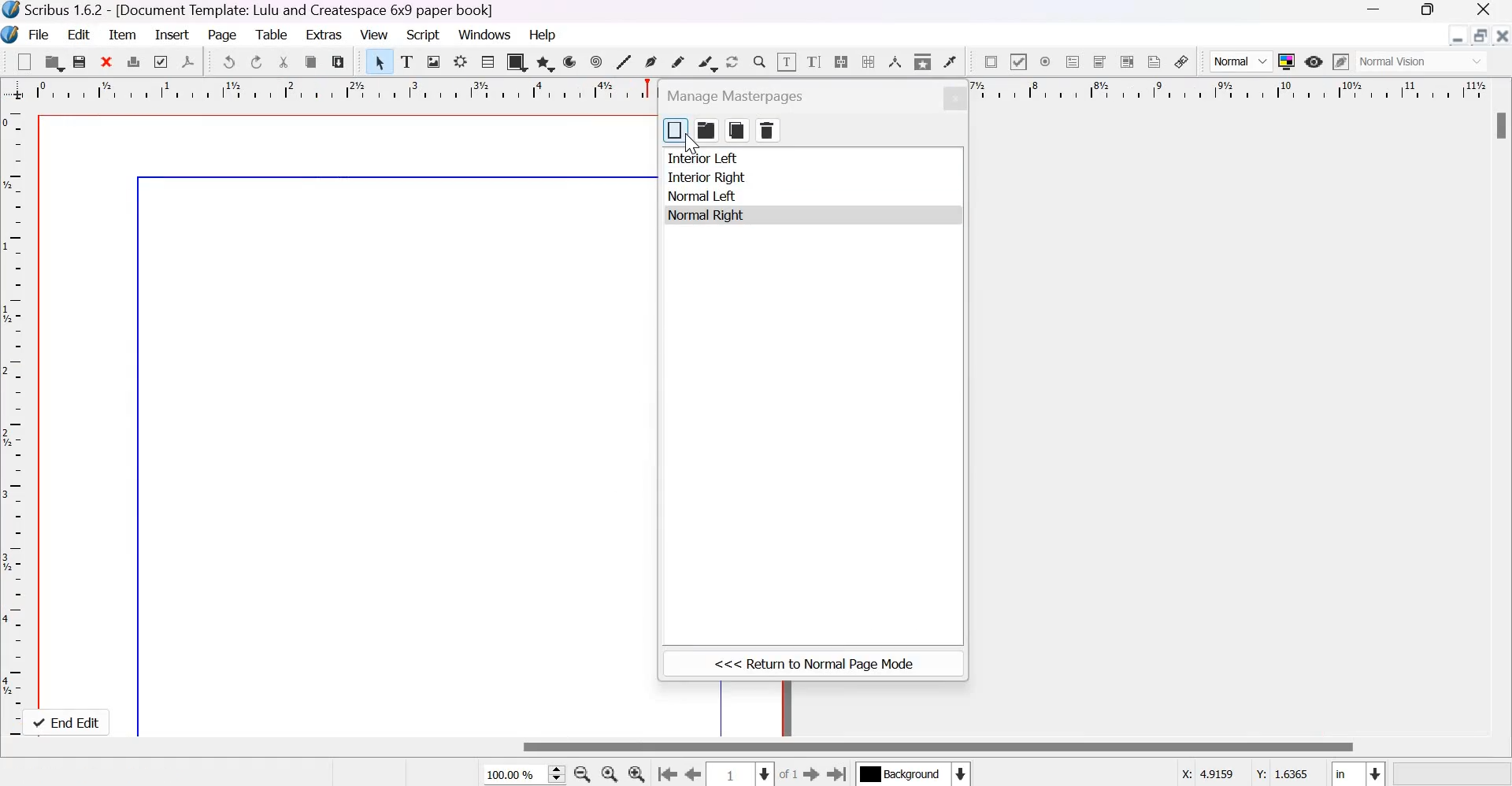  Describe the element at coordinates (373, 34) in the screenshot. I see `View` at that location.